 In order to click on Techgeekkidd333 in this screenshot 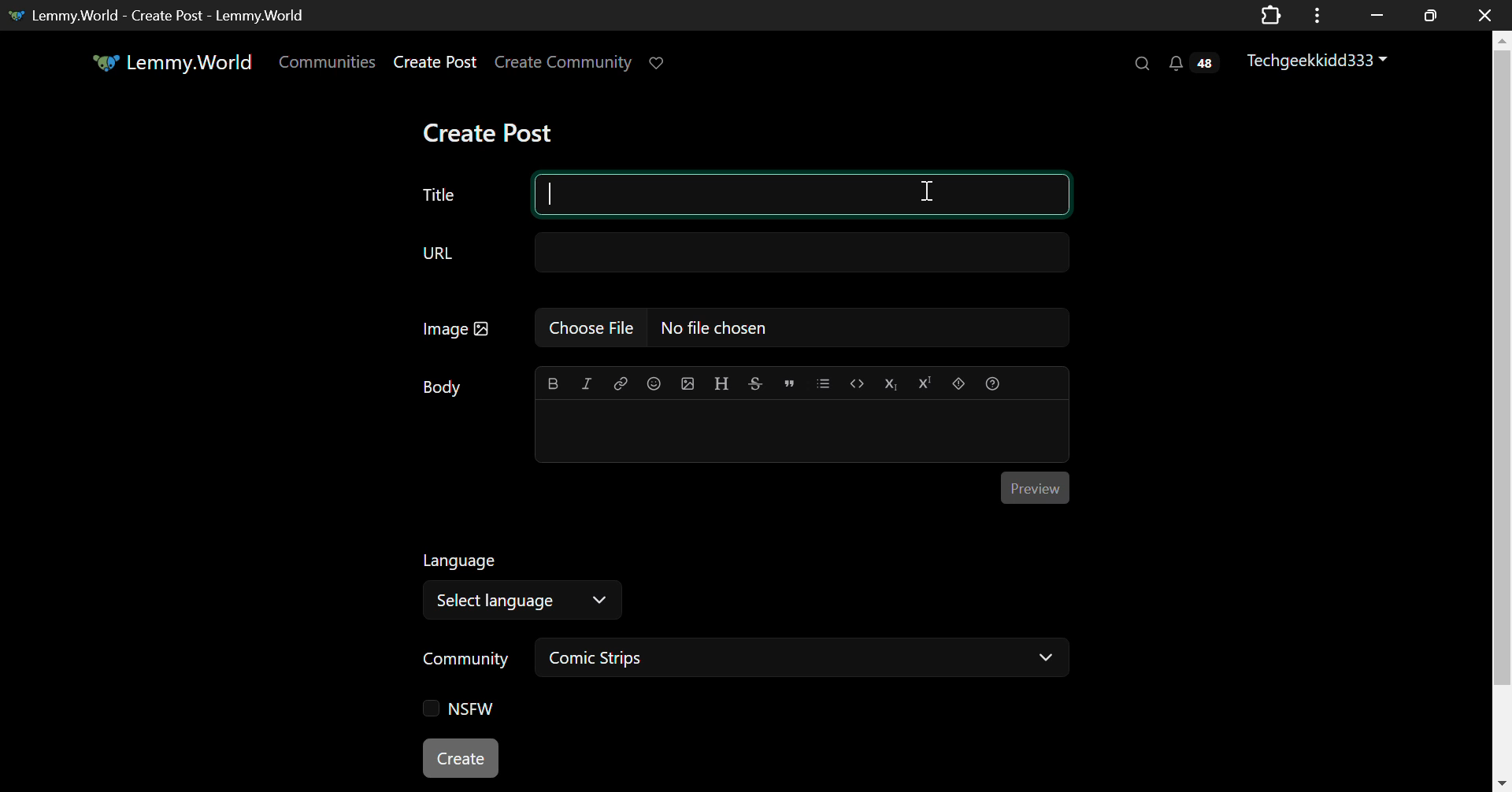, I will do `click(1320, 61)`.